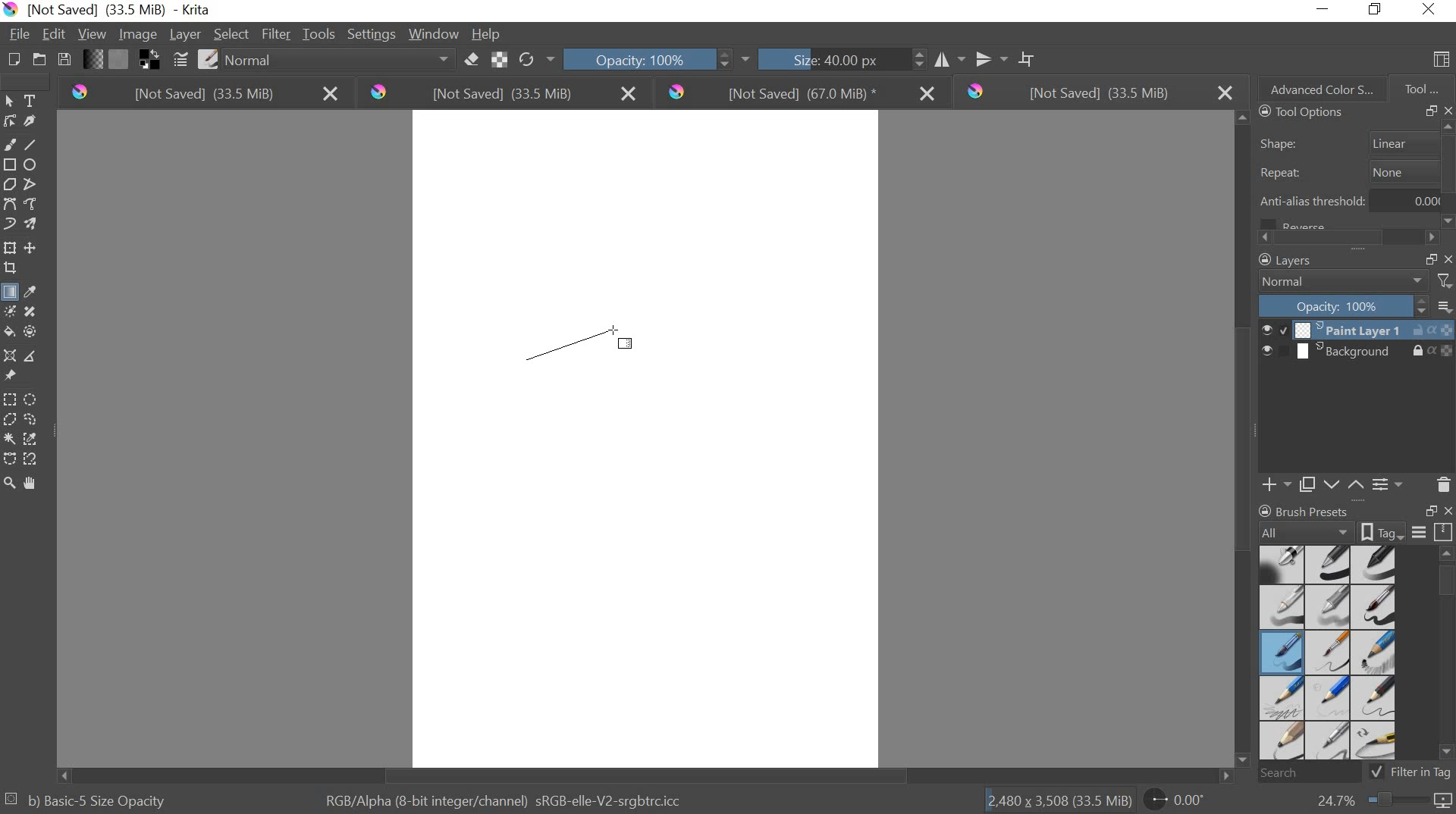  I want to click on bezier curve, so click(10, 458).